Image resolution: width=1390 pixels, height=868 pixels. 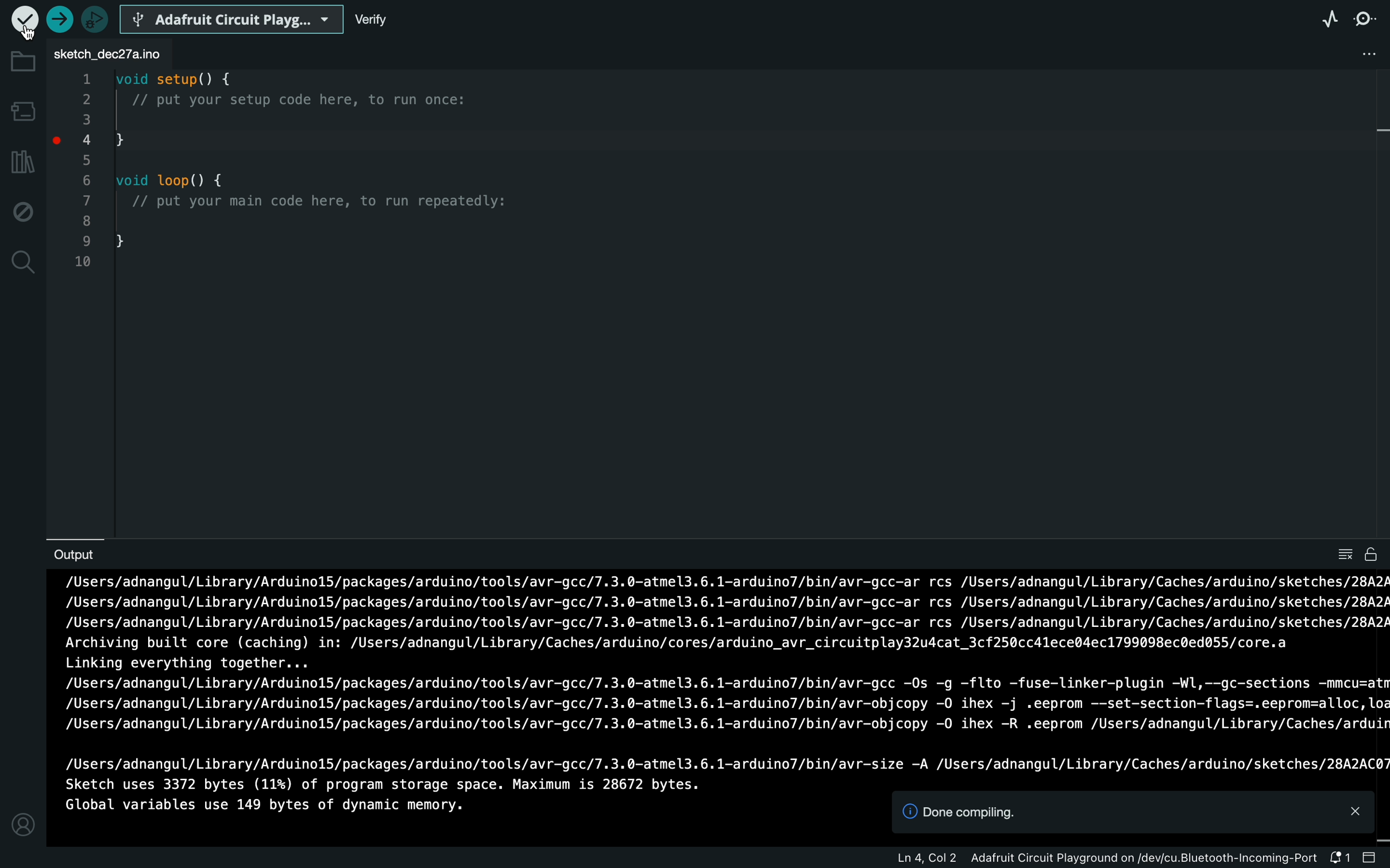 I want to click on serial plotter, so click(x=1330, y=22).